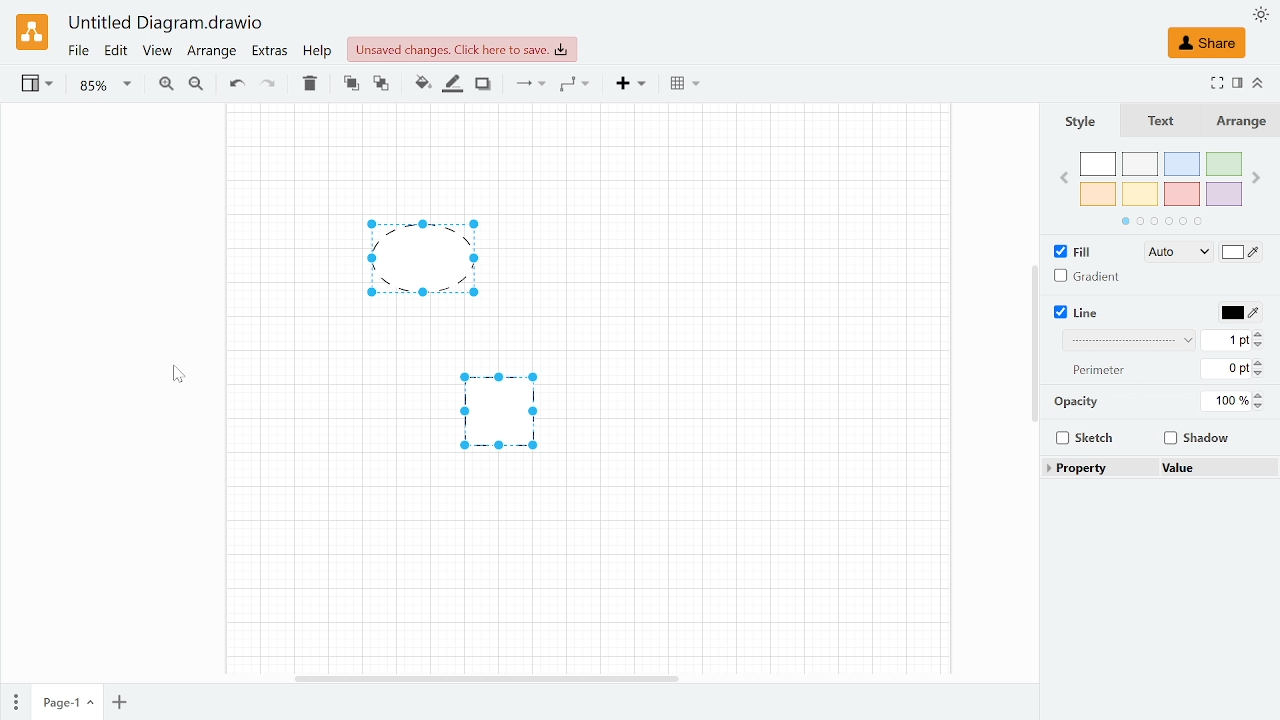 The image size is (1280, 720). I want to click on Increase perimeter, so click(1262, 361).